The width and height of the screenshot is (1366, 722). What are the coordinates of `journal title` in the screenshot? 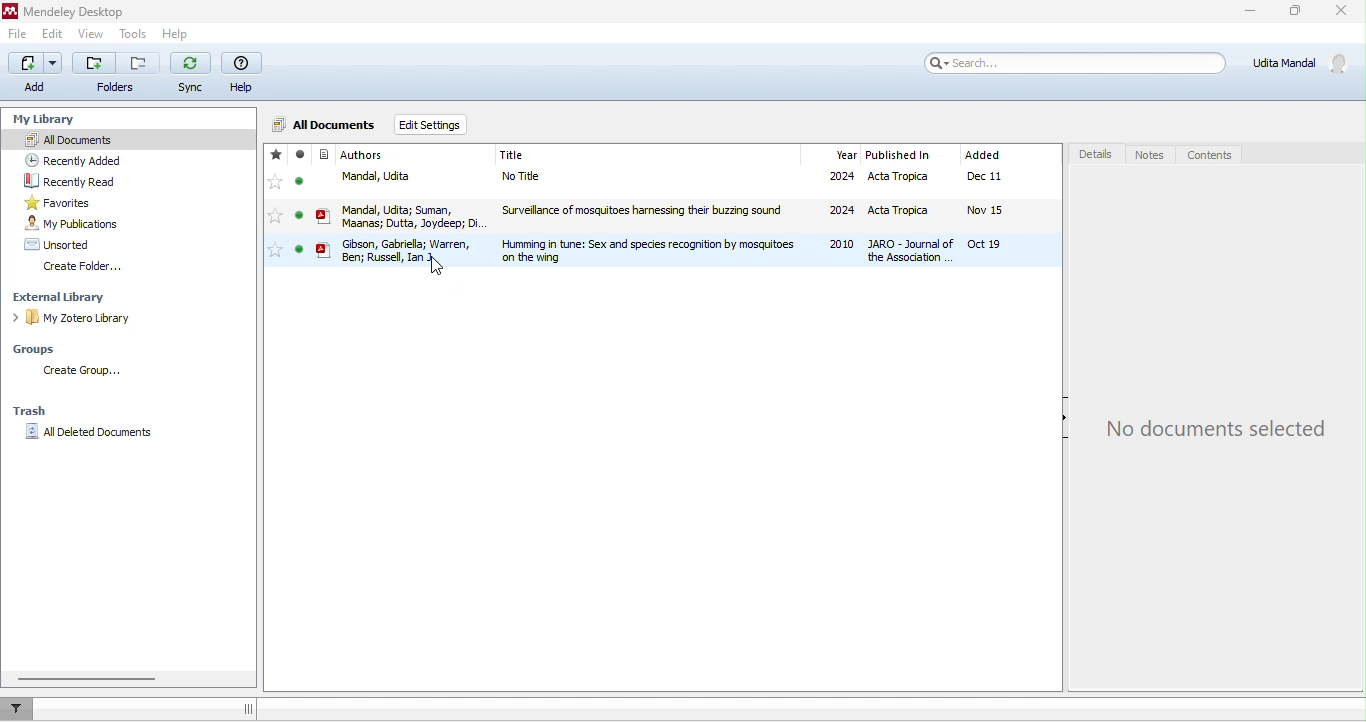 It's located at (514, 156).